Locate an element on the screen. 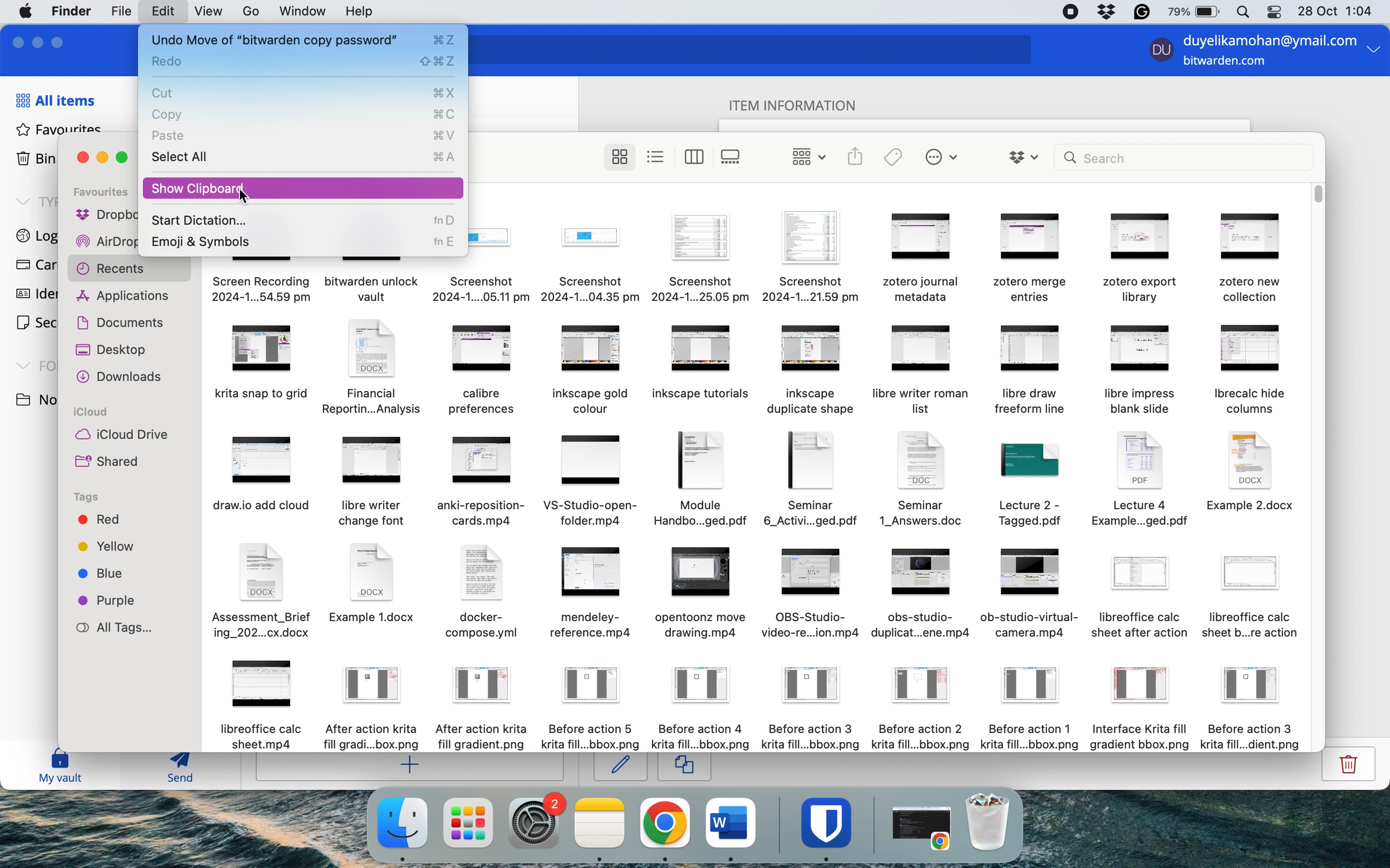  emoji and symbols is located at coordinates (306, 245).